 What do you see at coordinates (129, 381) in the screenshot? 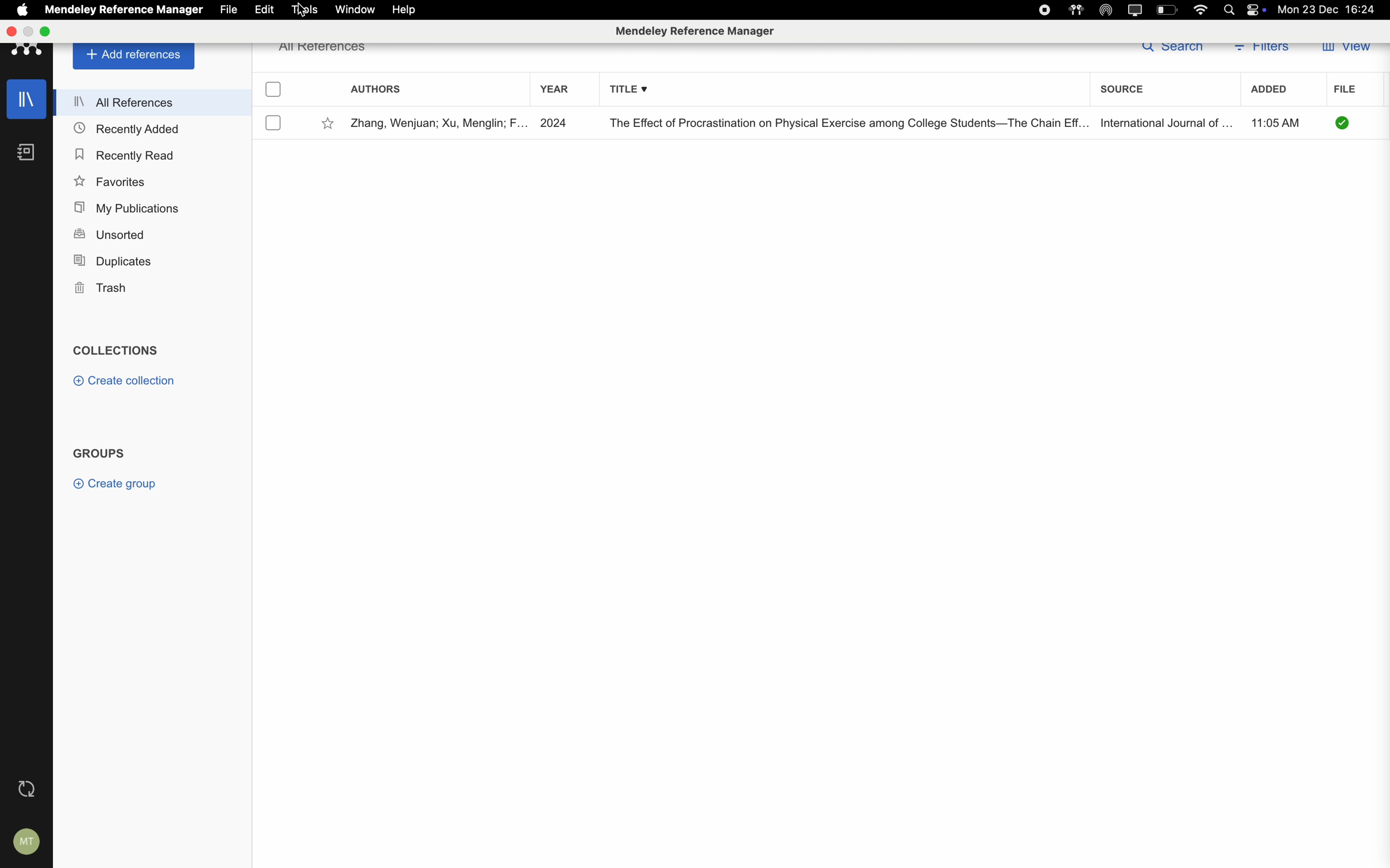
I see `create collection` at bounding box center [129, 381].